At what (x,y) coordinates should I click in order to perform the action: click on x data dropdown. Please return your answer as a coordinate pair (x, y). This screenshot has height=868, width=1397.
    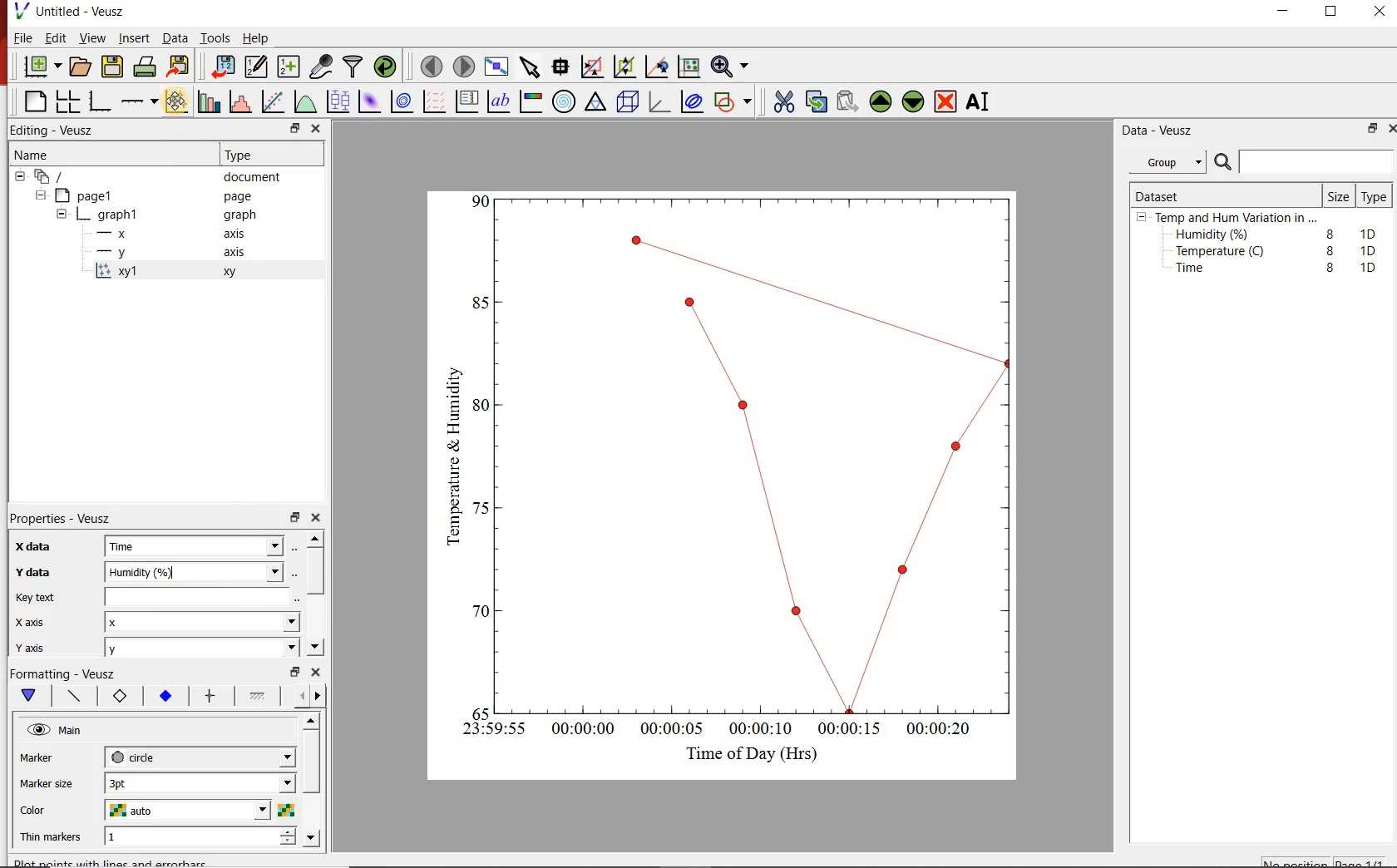
    Looking at the image, I should click on (250, 545).